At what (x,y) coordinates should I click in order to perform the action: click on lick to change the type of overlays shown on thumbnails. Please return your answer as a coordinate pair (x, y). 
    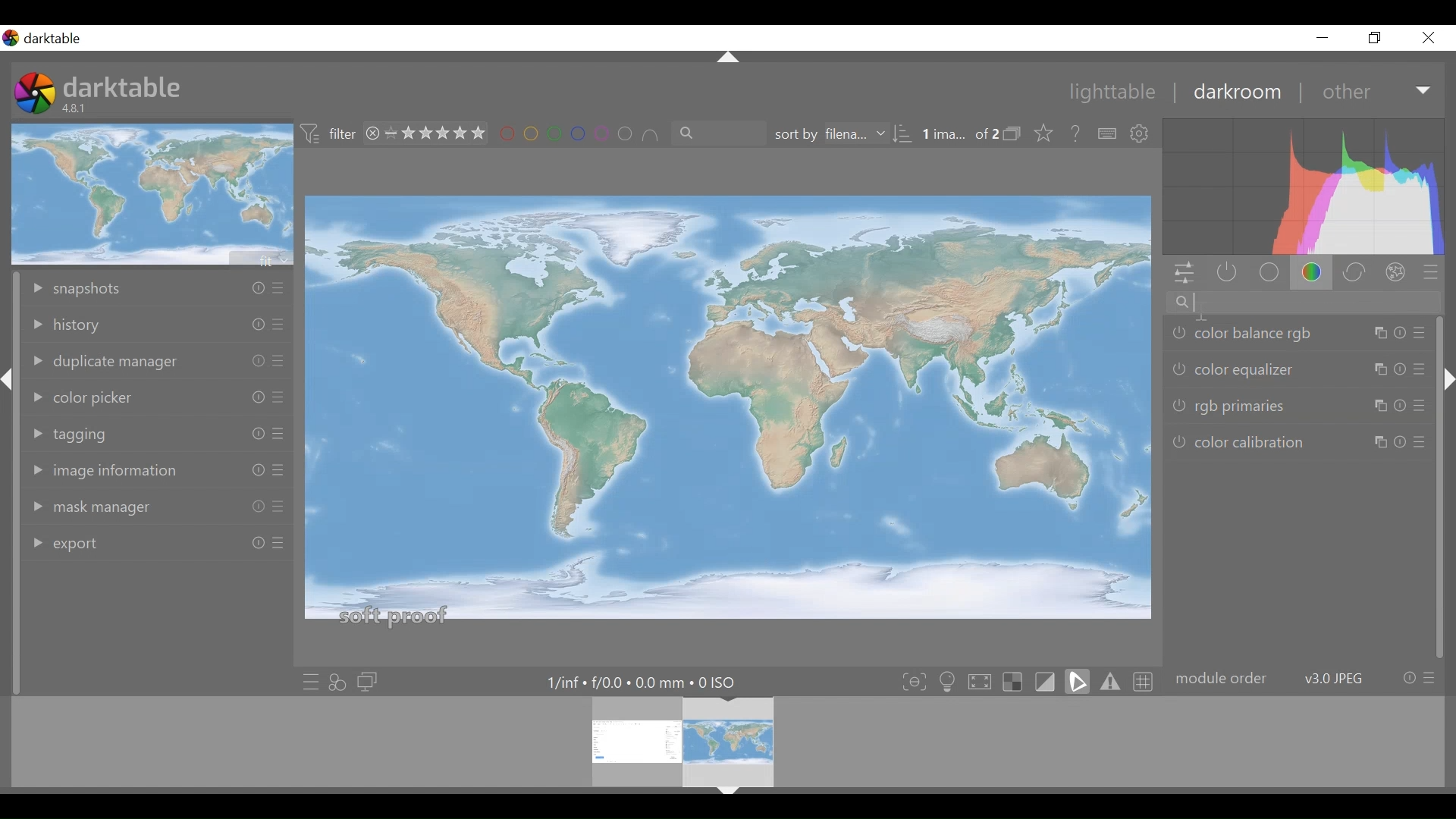
    Looking at the image, I should click on (1045, 134).